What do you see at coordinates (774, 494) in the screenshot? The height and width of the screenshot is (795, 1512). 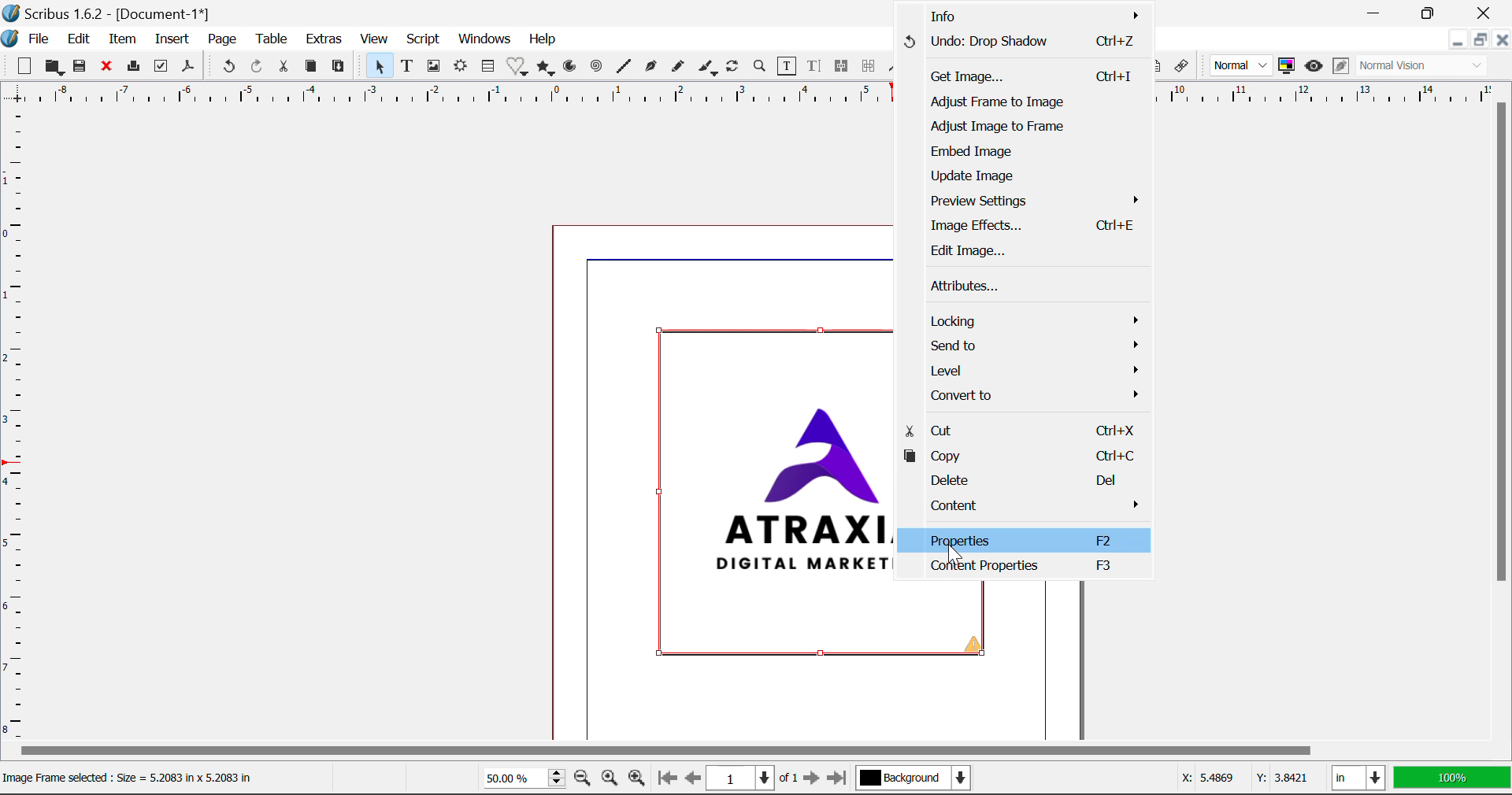 I see `Image` at bounding box center [774, 494].